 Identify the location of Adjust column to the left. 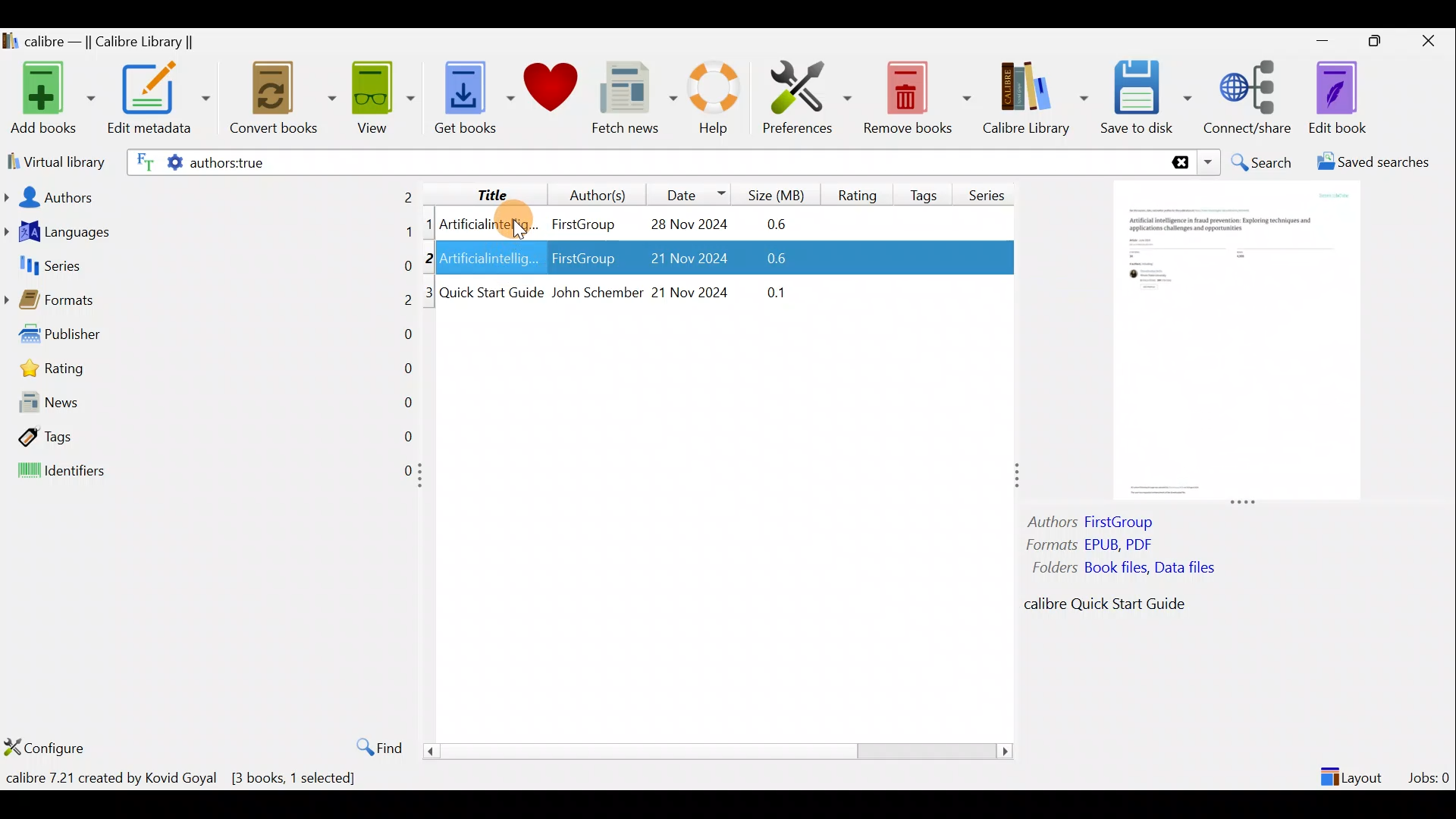
(425, 480).